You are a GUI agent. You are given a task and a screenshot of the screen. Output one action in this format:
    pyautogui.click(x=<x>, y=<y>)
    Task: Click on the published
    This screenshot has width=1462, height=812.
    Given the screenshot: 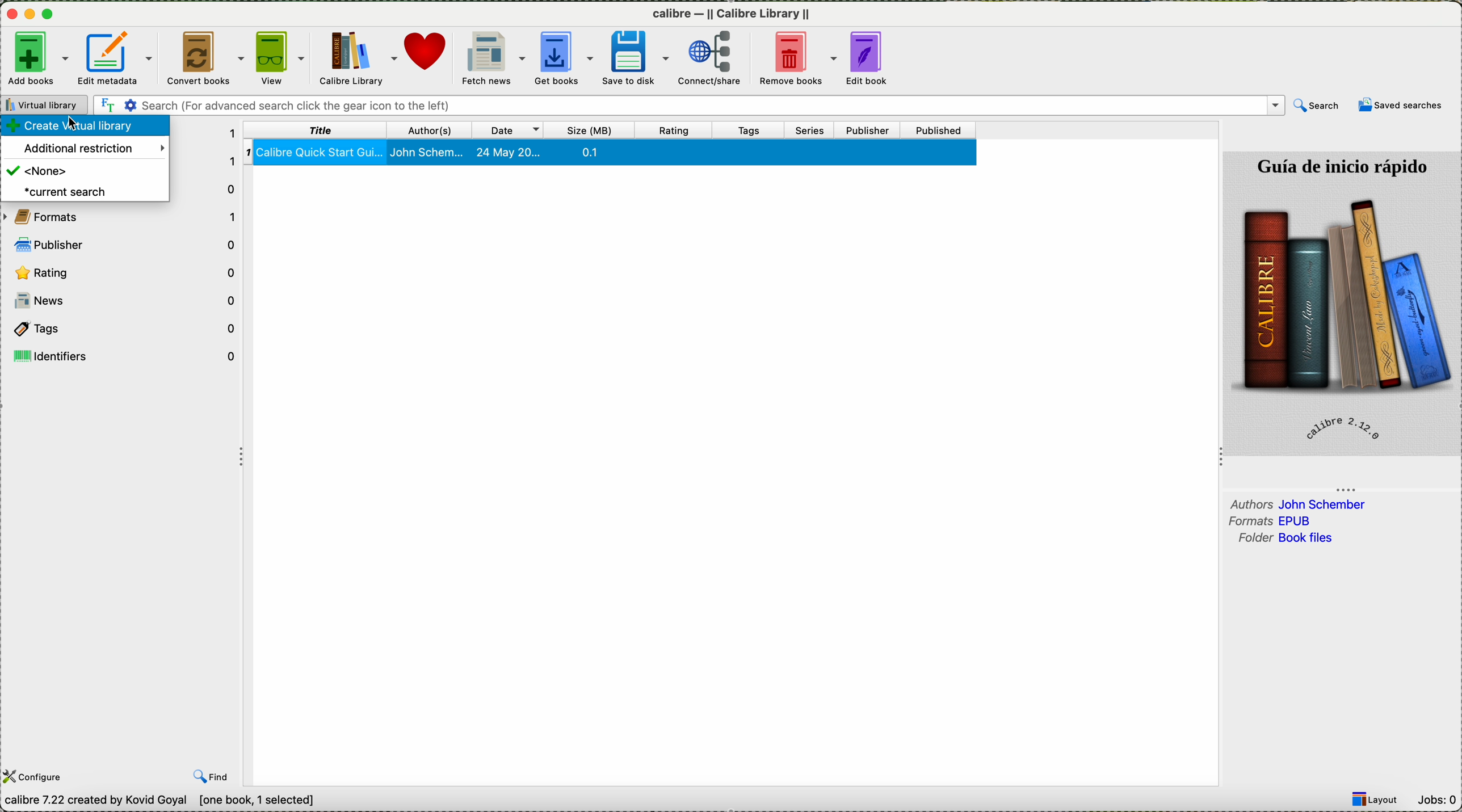 What is the action you would take?
    pyautogui.click(x=941, y=131)
    